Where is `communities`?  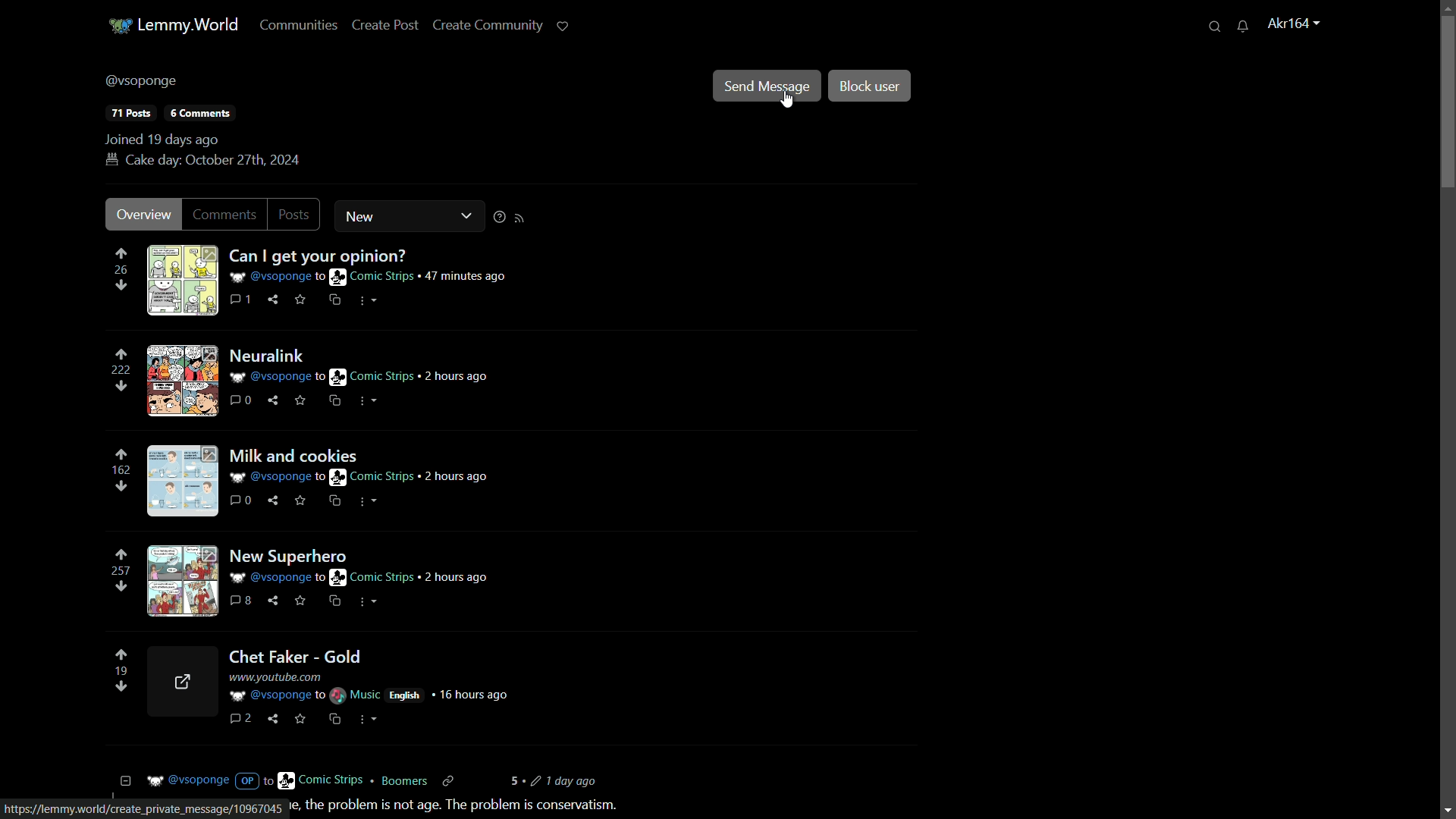
communities is located at coordinates (299, 27).